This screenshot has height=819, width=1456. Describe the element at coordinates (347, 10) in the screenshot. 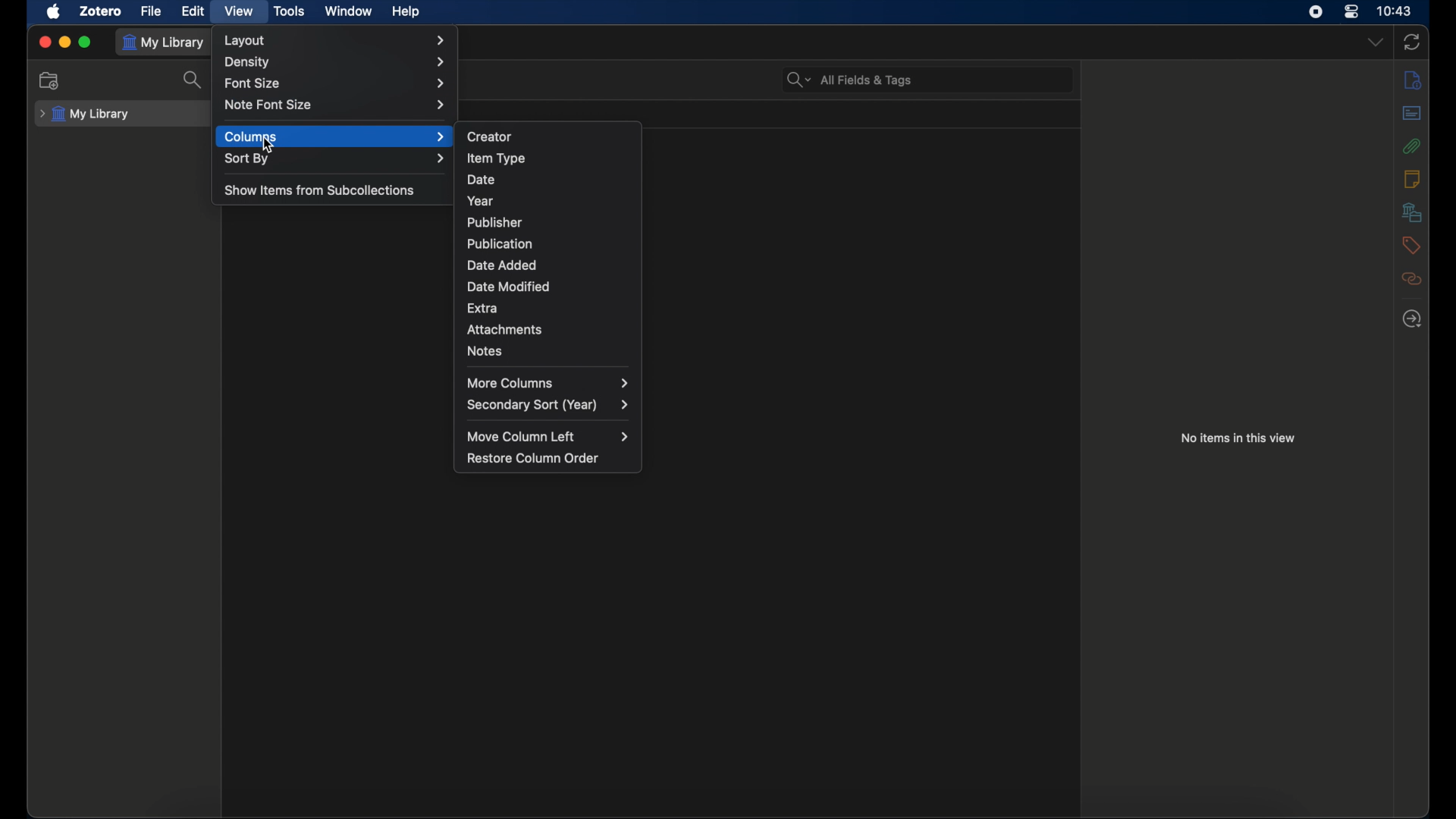

I see `window` at that location.